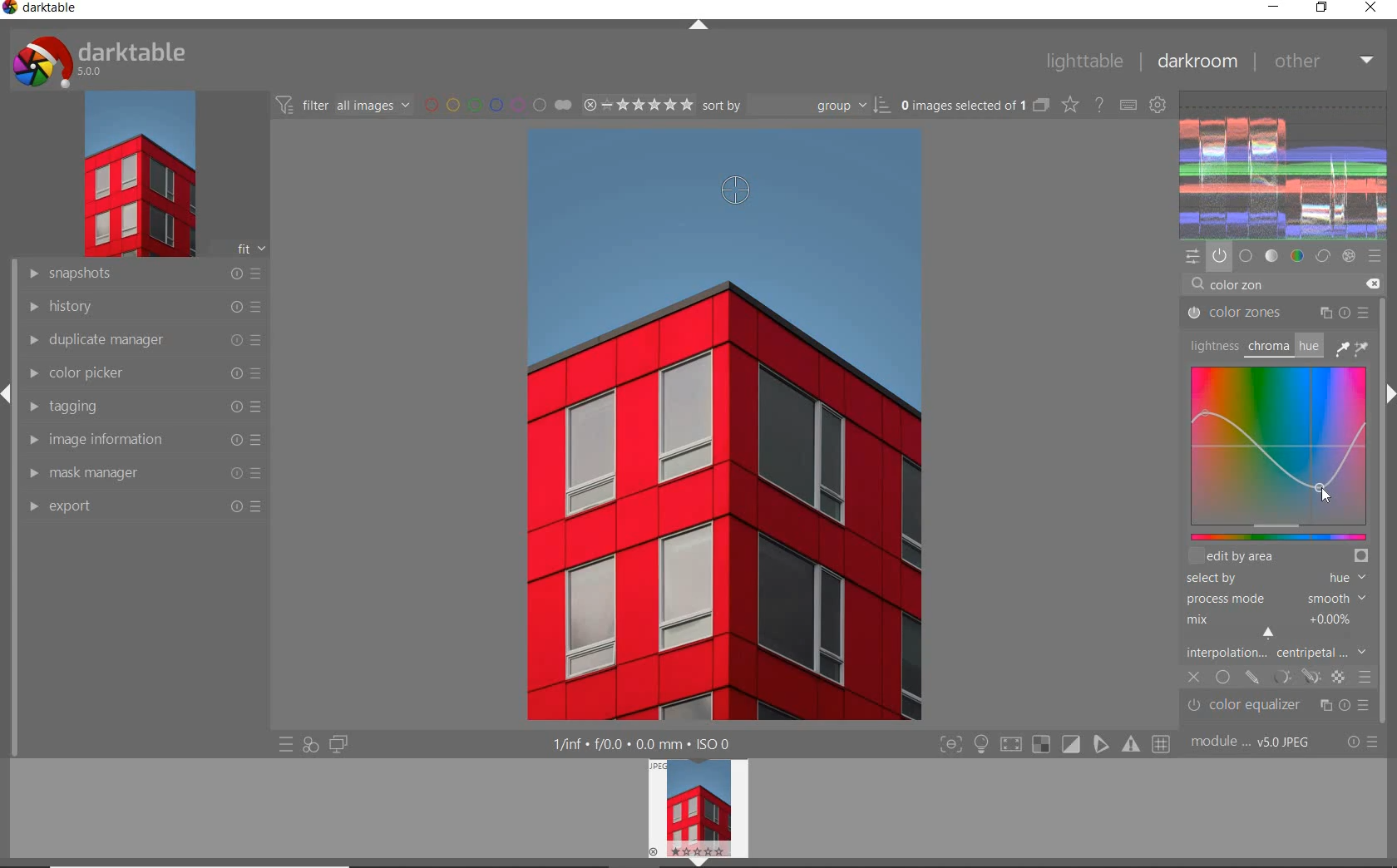 The width and height of the screenshot is (1397, 868). Describe the element at coordinates (1222, 678) in the screenshot. I see `UNIFORMLY` at that location.